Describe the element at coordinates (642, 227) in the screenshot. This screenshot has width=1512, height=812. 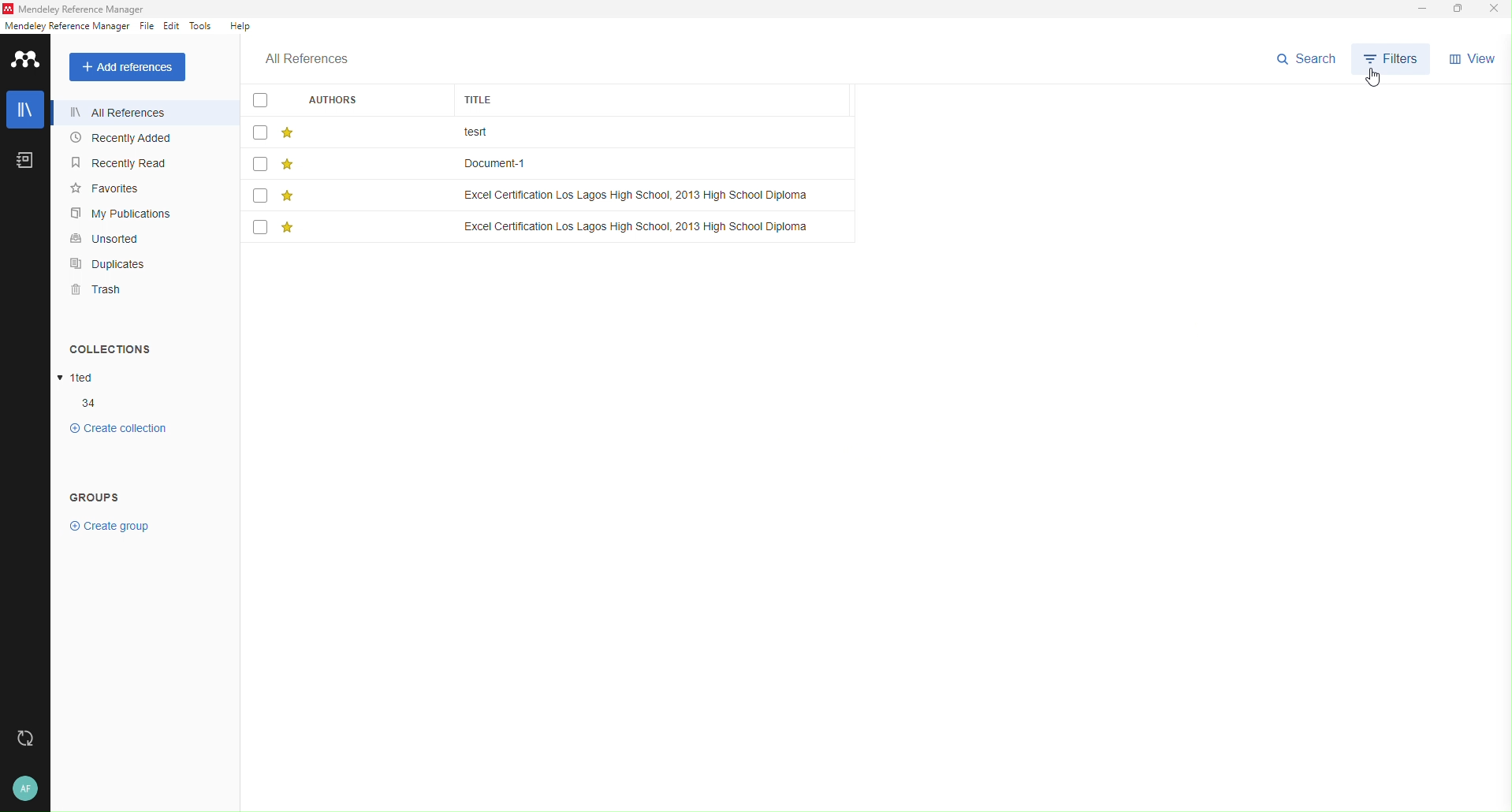
I see `title` at that location.